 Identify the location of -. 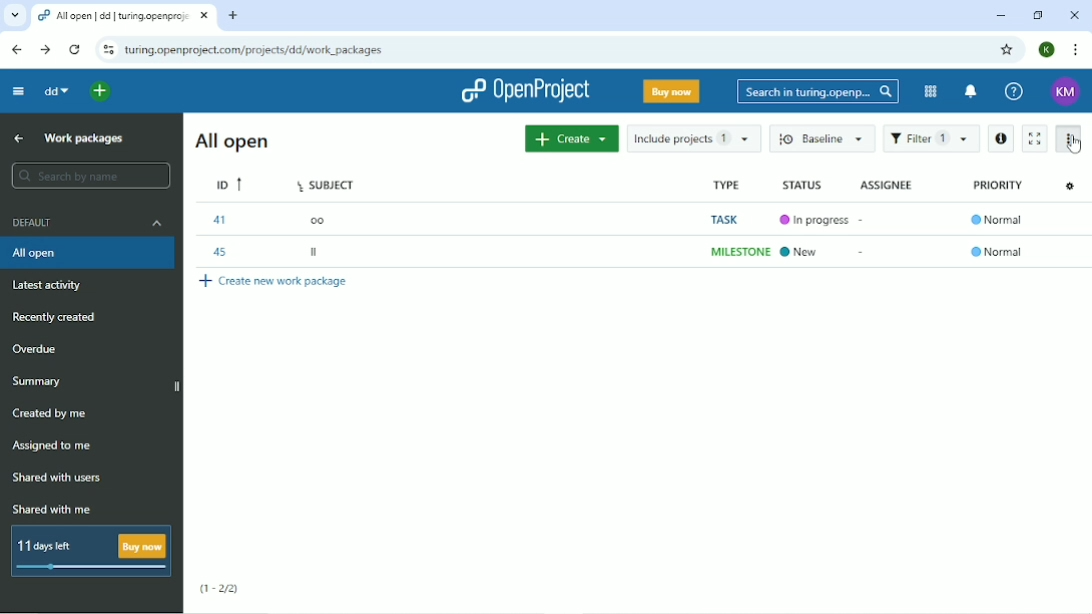
(867, 218).